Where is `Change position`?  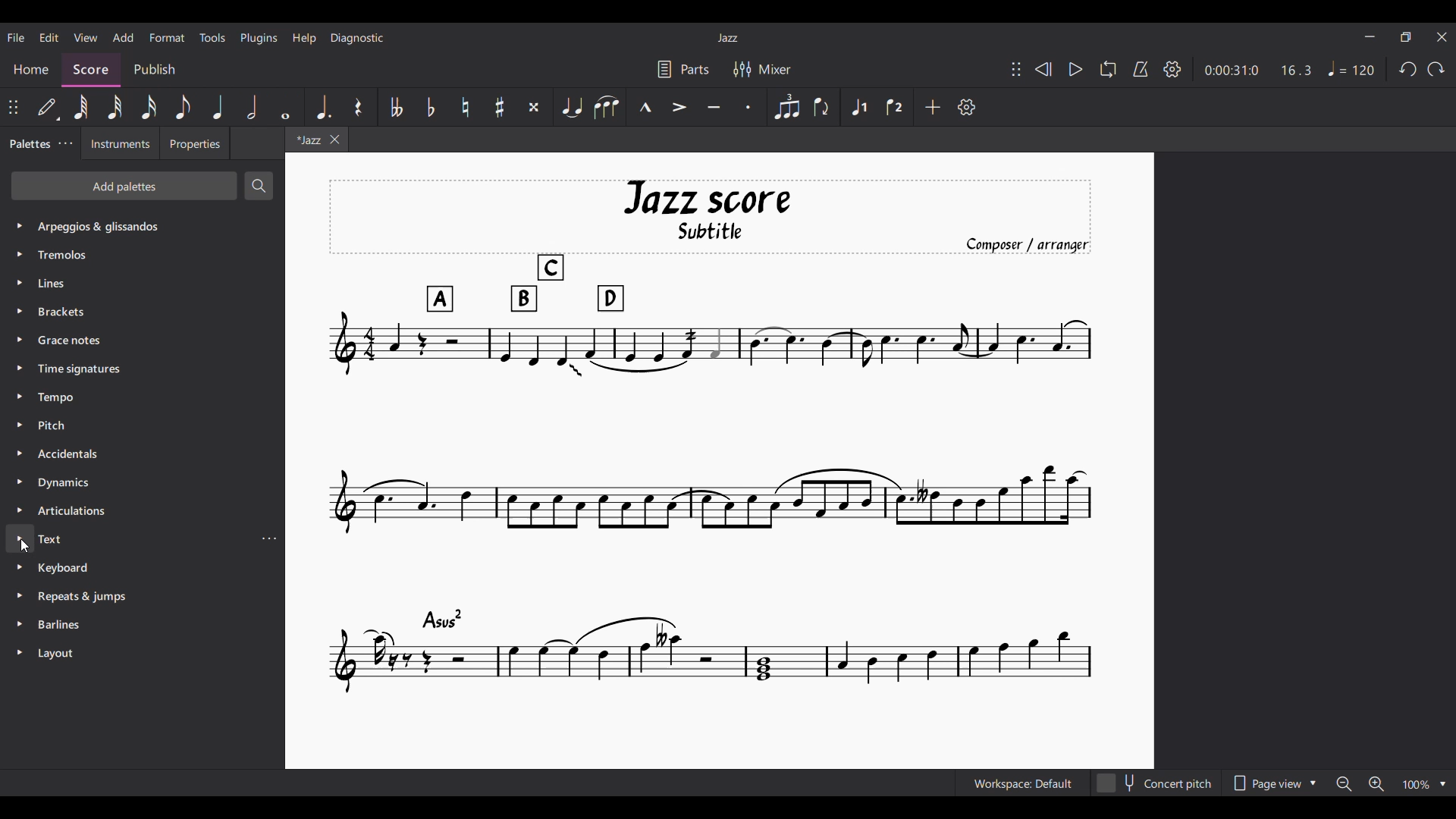 Change position is located at coordinates (1016, 69).